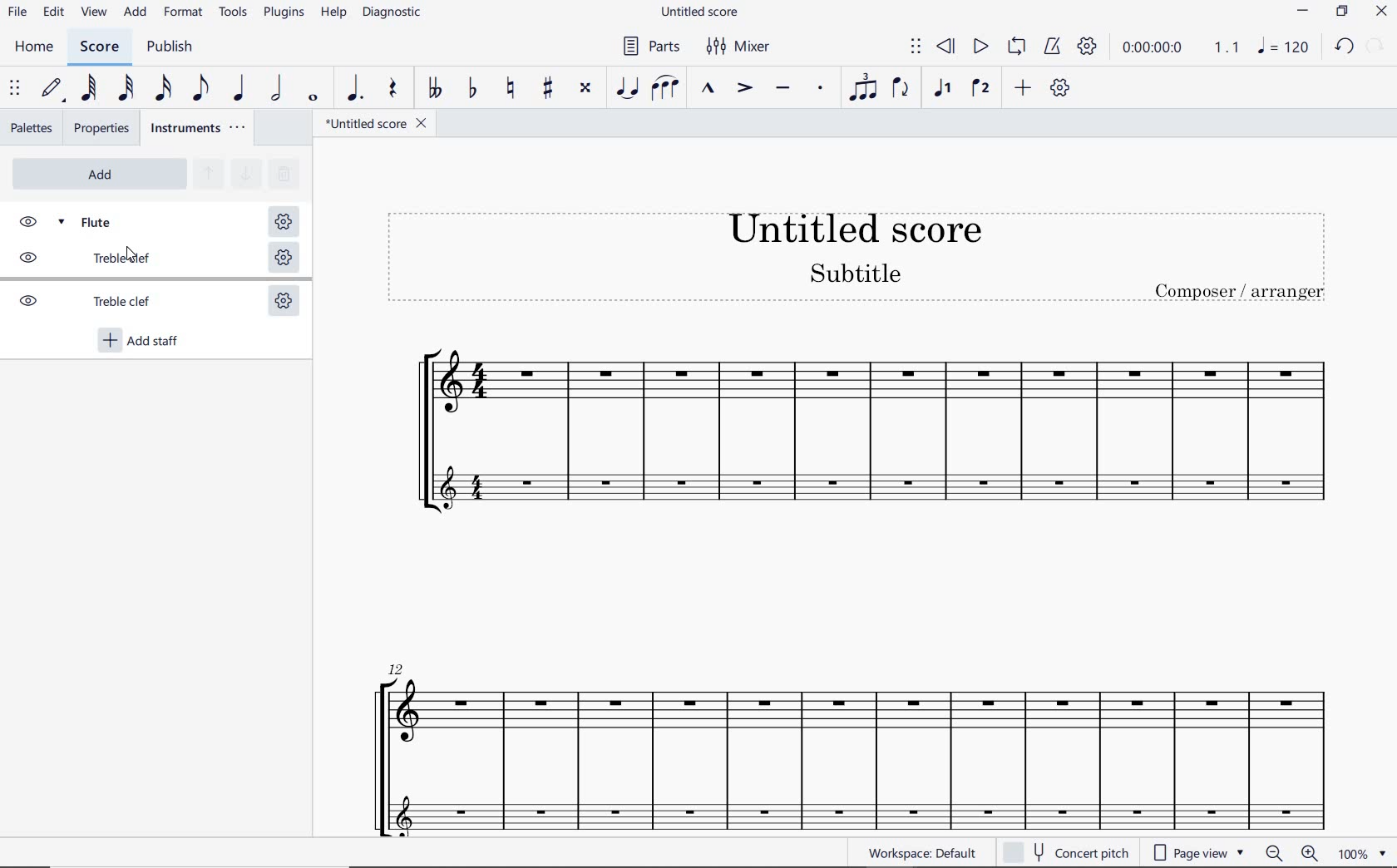  What do you see at coordinates (740, 49) in the screenshot?
I see `MIXER` at bounding box center [740, 49].